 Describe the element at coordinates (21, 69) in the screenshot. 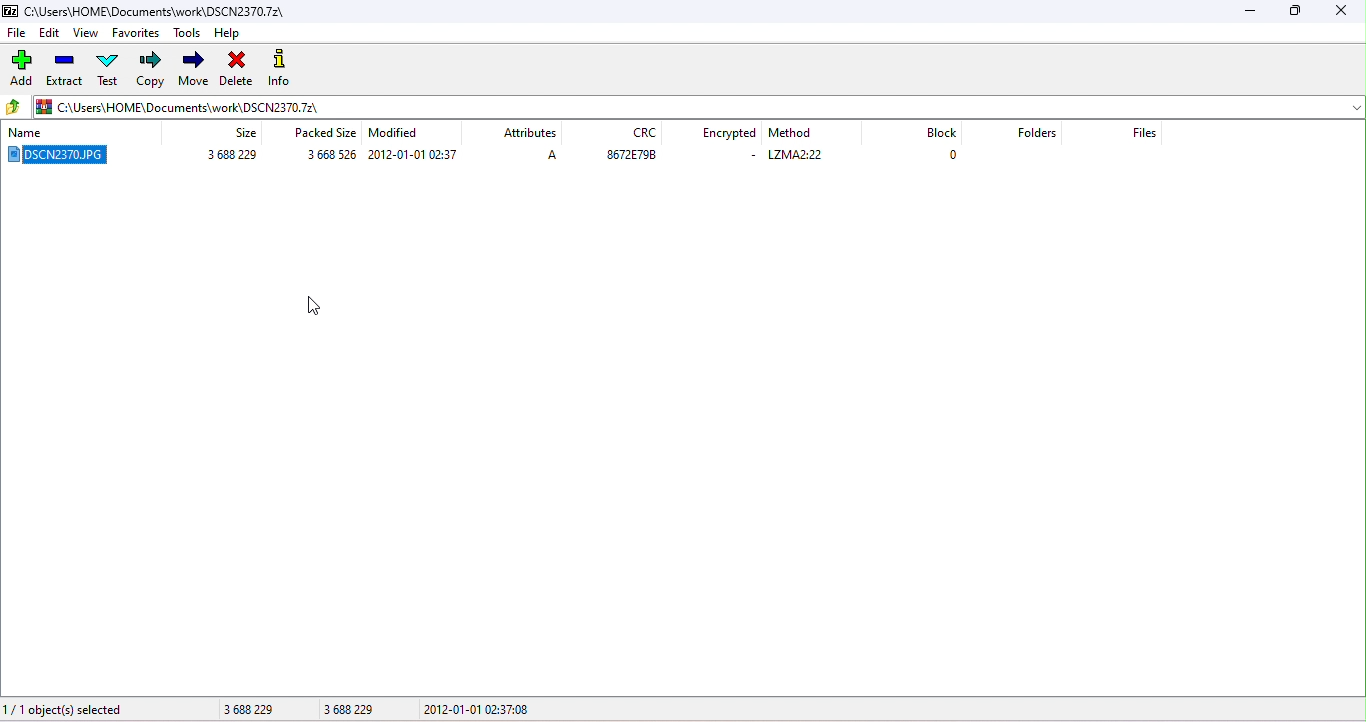

I see `add` at that location.